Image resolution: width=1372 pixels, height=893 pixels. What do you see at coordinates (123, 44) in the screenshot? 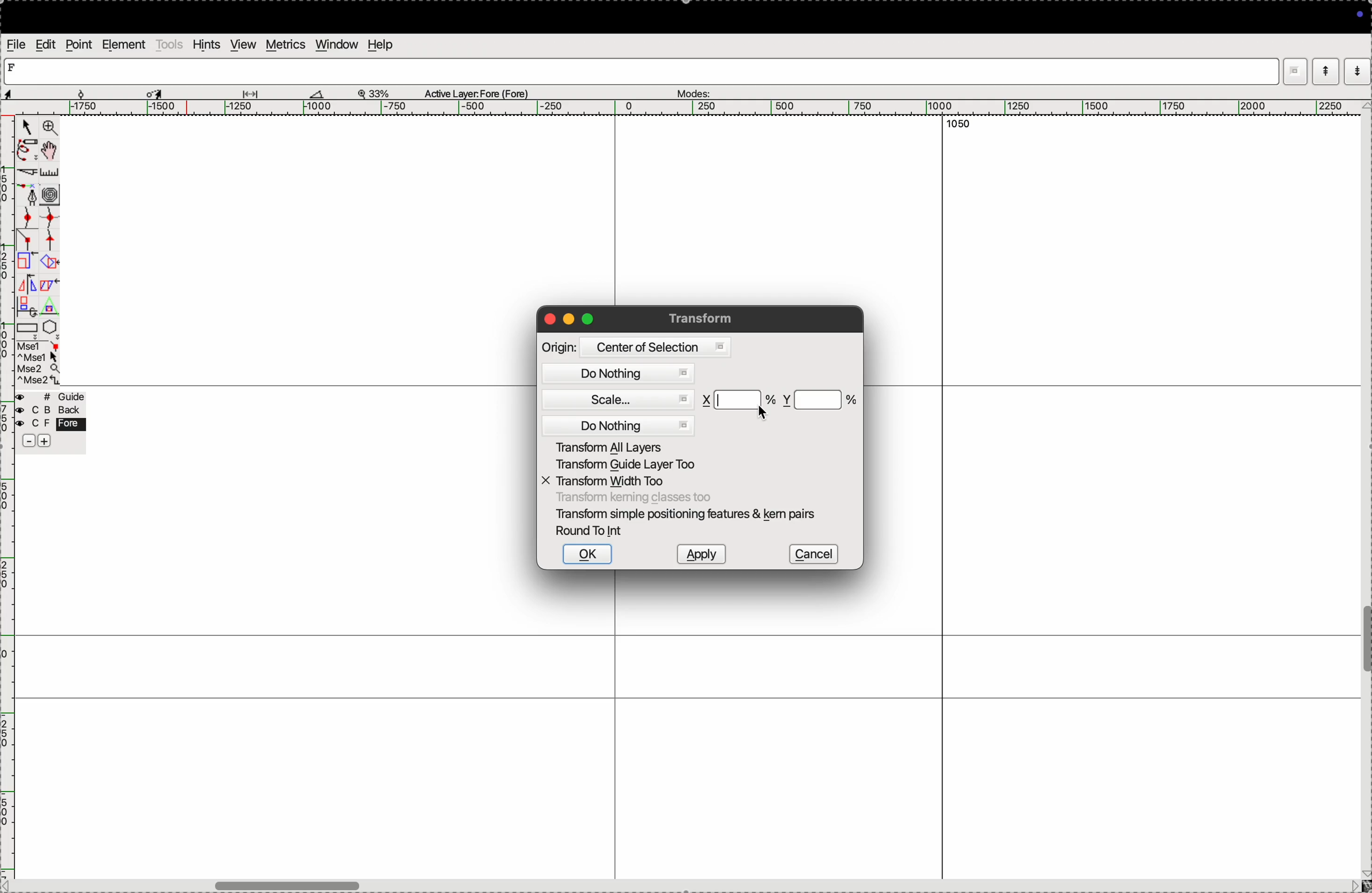
I see `element` at bounding box center [123, 44].